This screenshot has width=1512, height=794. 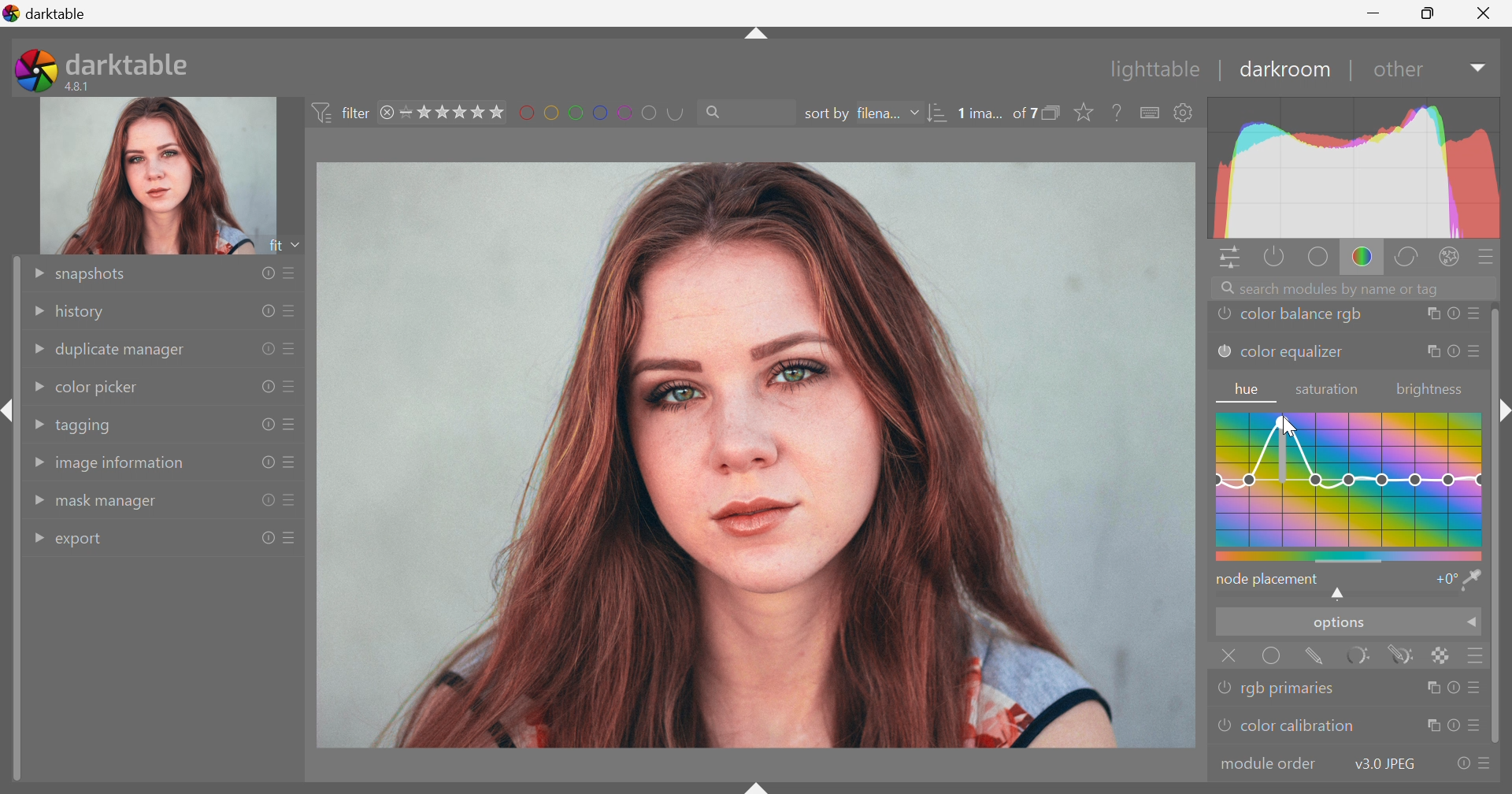 I want to click on tagging, so click(x=86, y=426).